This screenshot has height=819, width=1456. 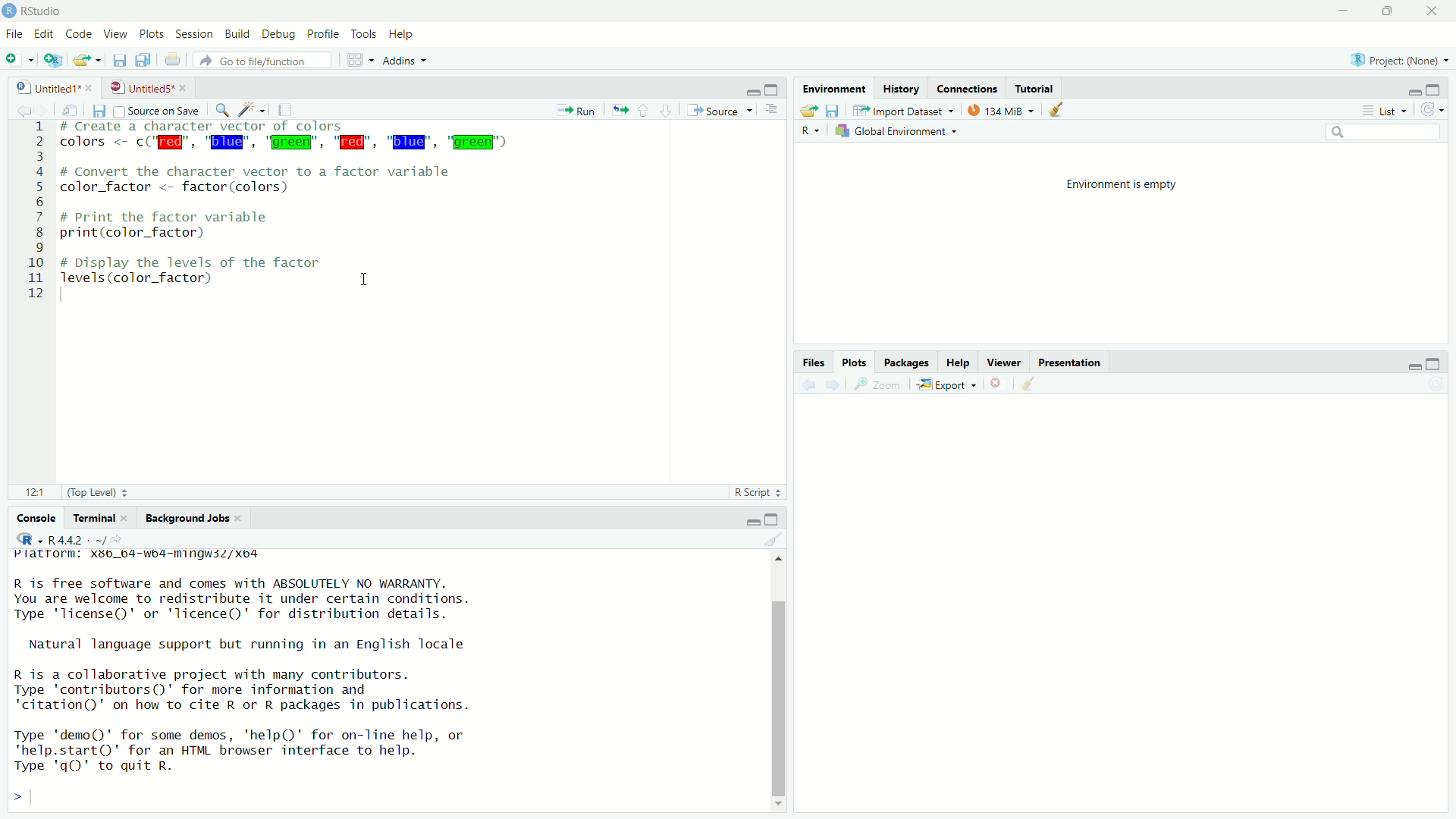 I want to click on save current document, so click(x=117, y=59).